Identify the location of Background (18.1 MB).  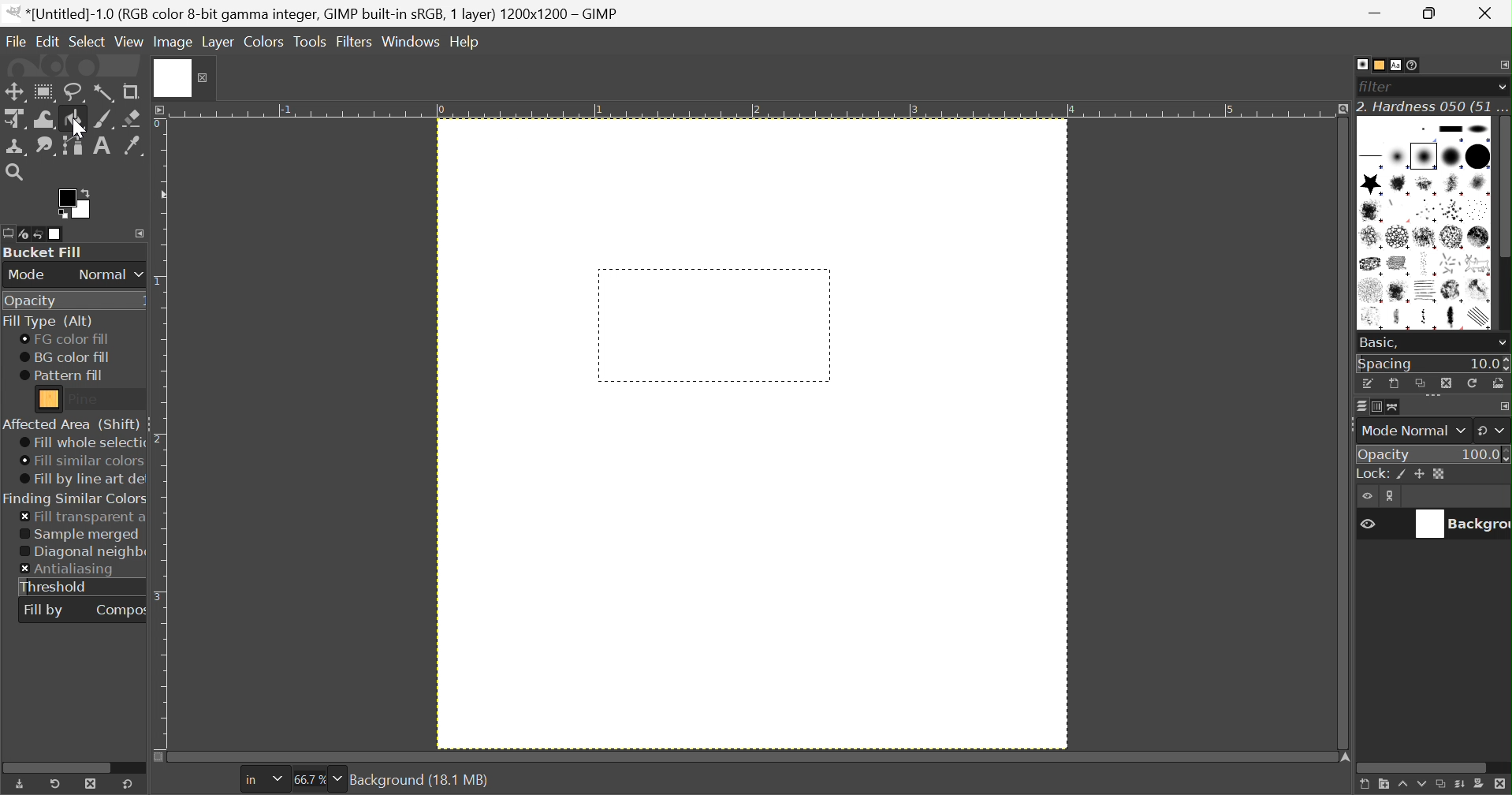
(423, 780).